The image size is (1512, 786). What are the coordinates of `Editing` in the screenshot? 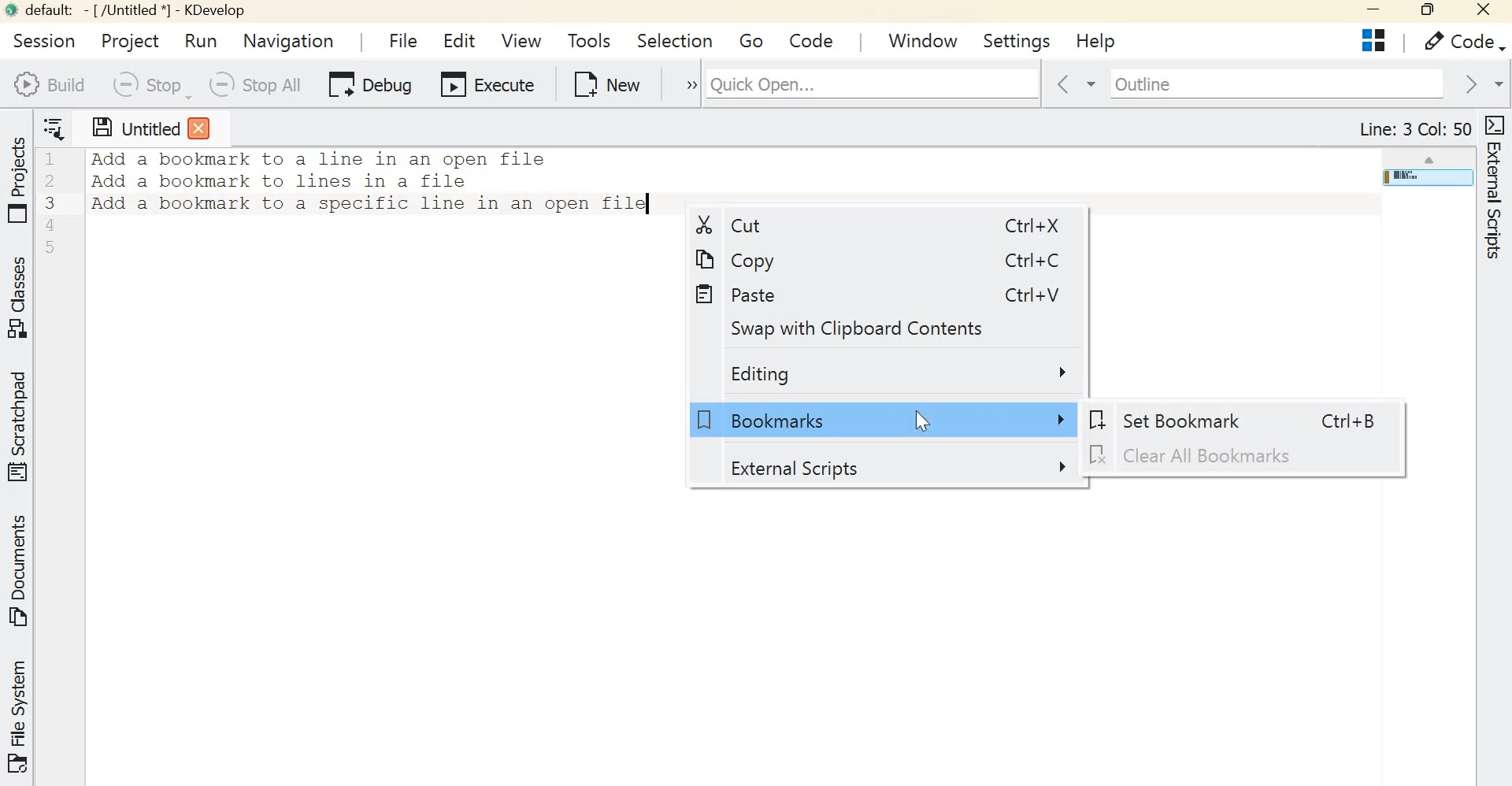 It's located at (901, 375).